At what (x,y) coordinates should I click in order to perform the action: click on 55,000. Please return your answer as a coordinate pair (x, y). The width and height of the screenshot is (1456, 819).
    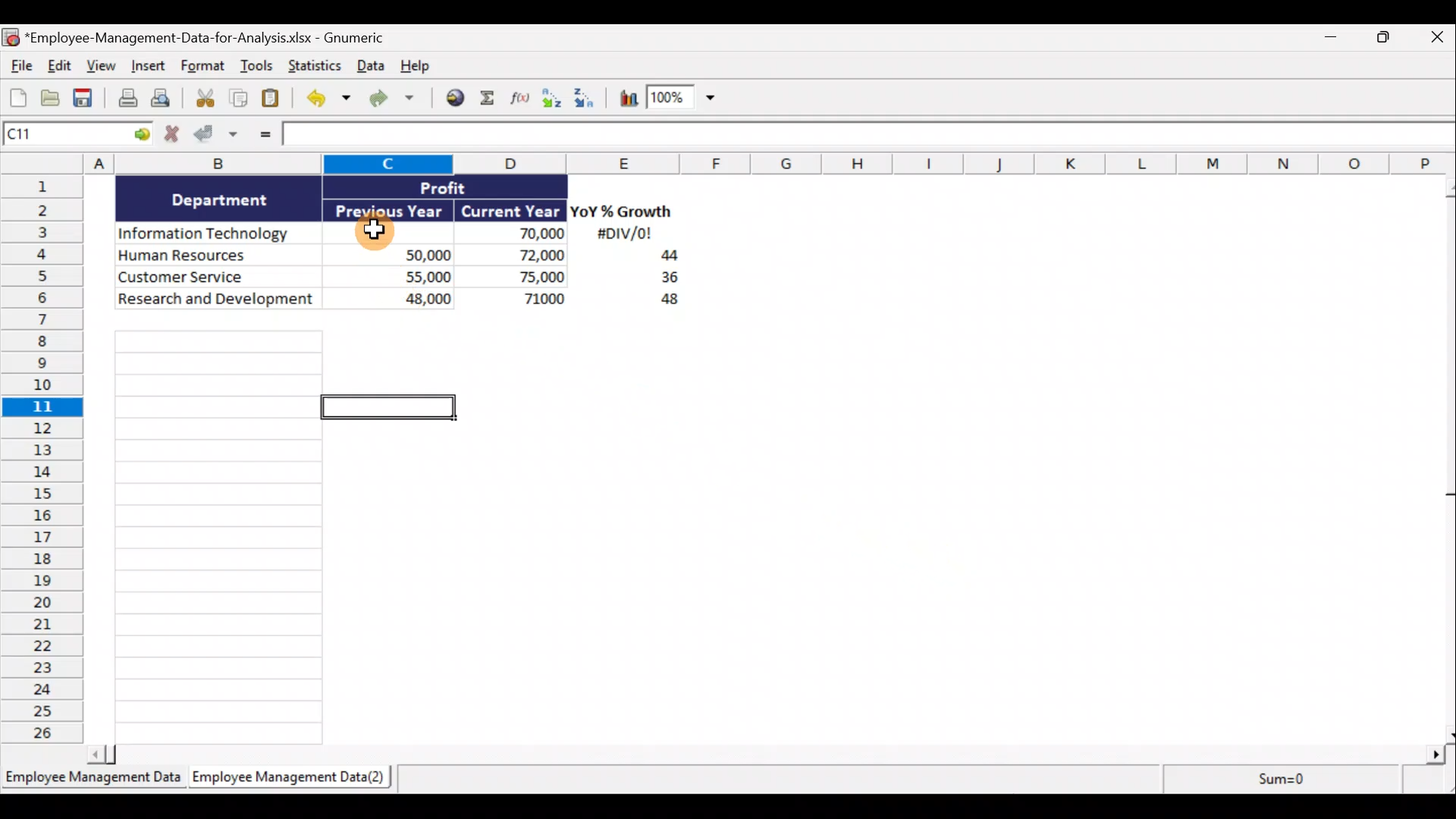
    Looking at the image, I should click on (397, 276).